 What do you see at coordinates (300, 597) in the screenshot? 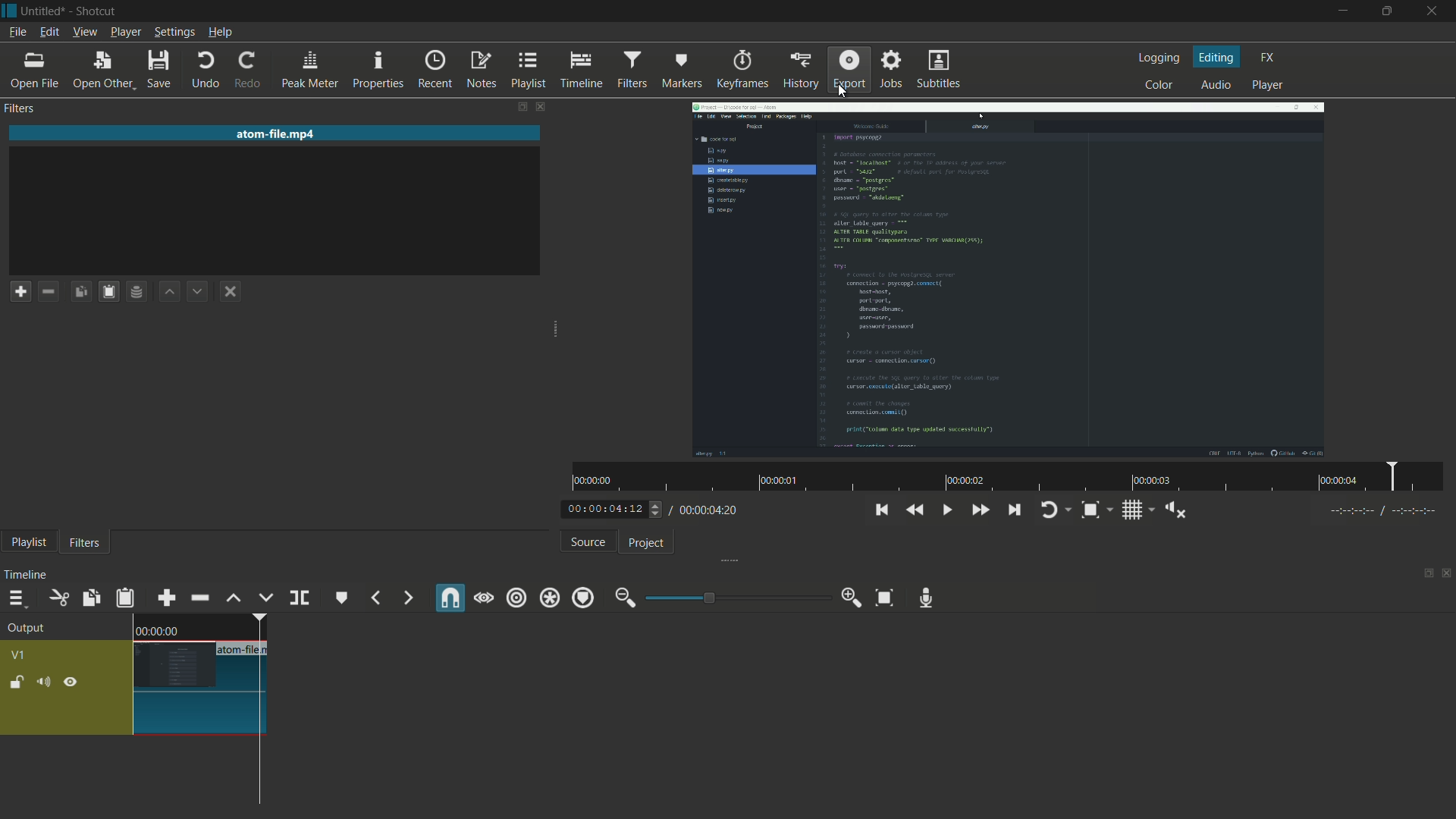
I see `split at playhead` at bounding box center [300, 597].